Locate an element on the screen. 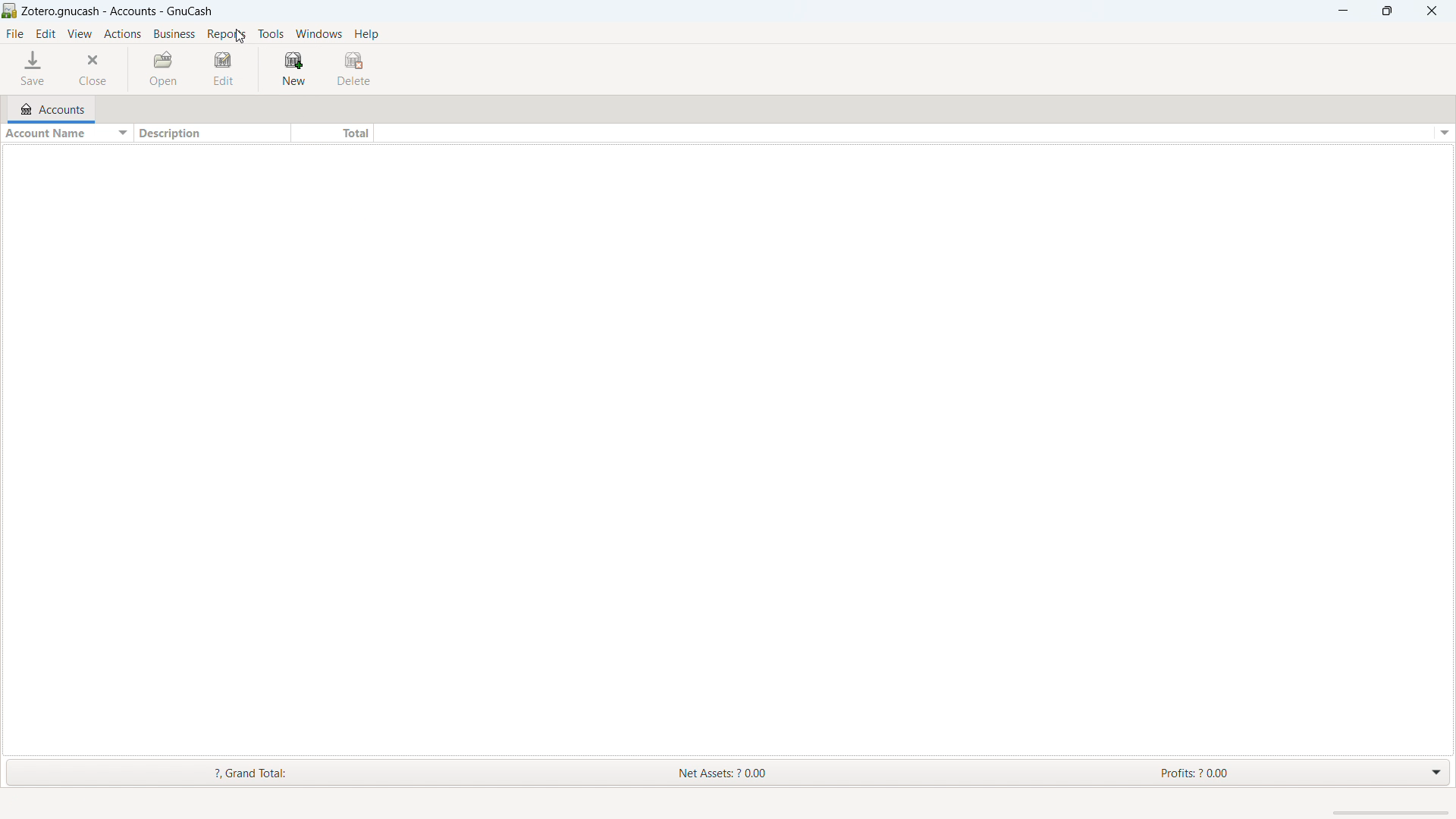 The height and width of the screenshot is (819, 1456). actions is located at coordinates (123, 34).